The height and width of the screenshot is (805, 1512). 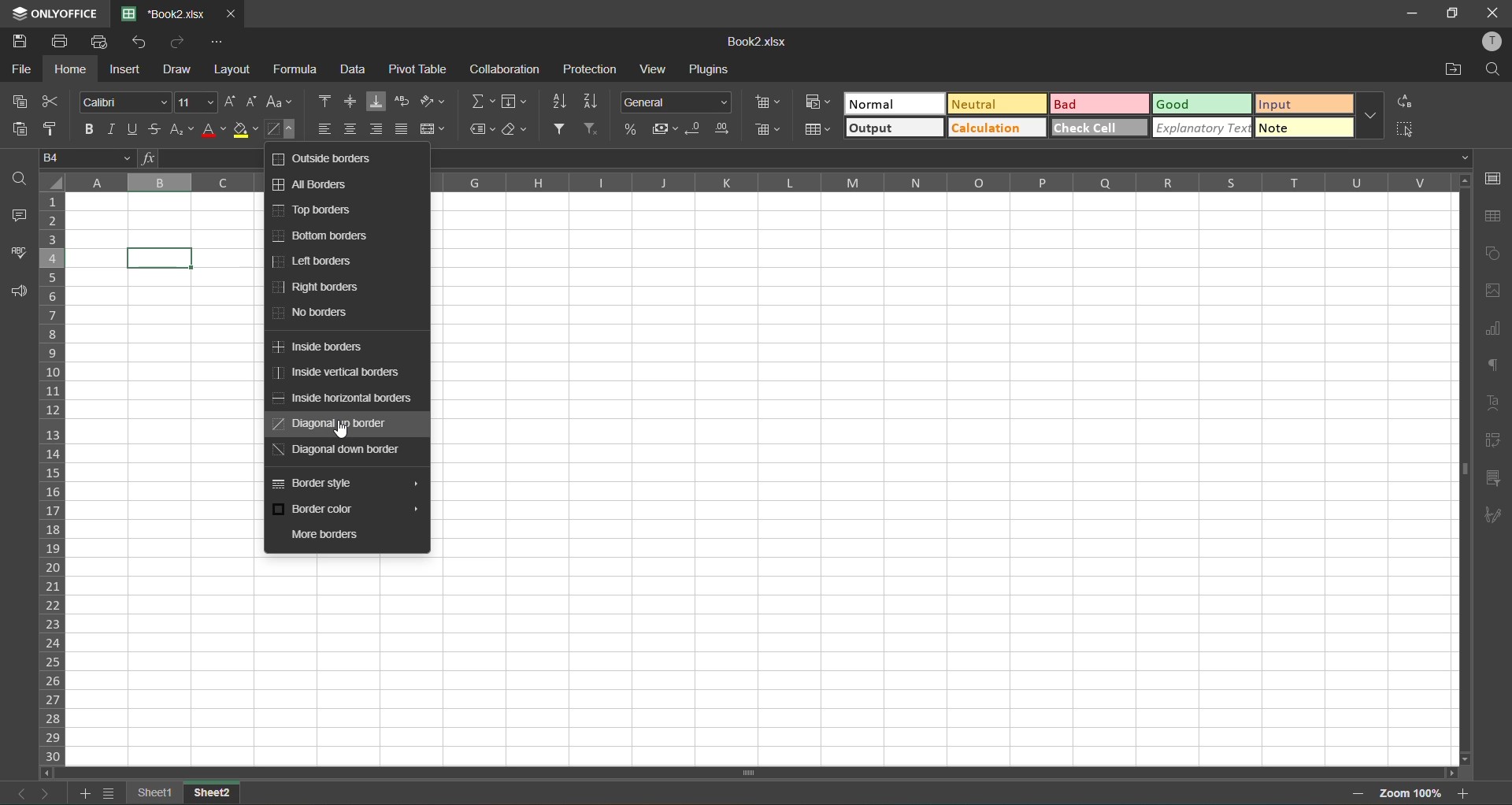 I want to click on row numbers, so click(x=57, y=475).